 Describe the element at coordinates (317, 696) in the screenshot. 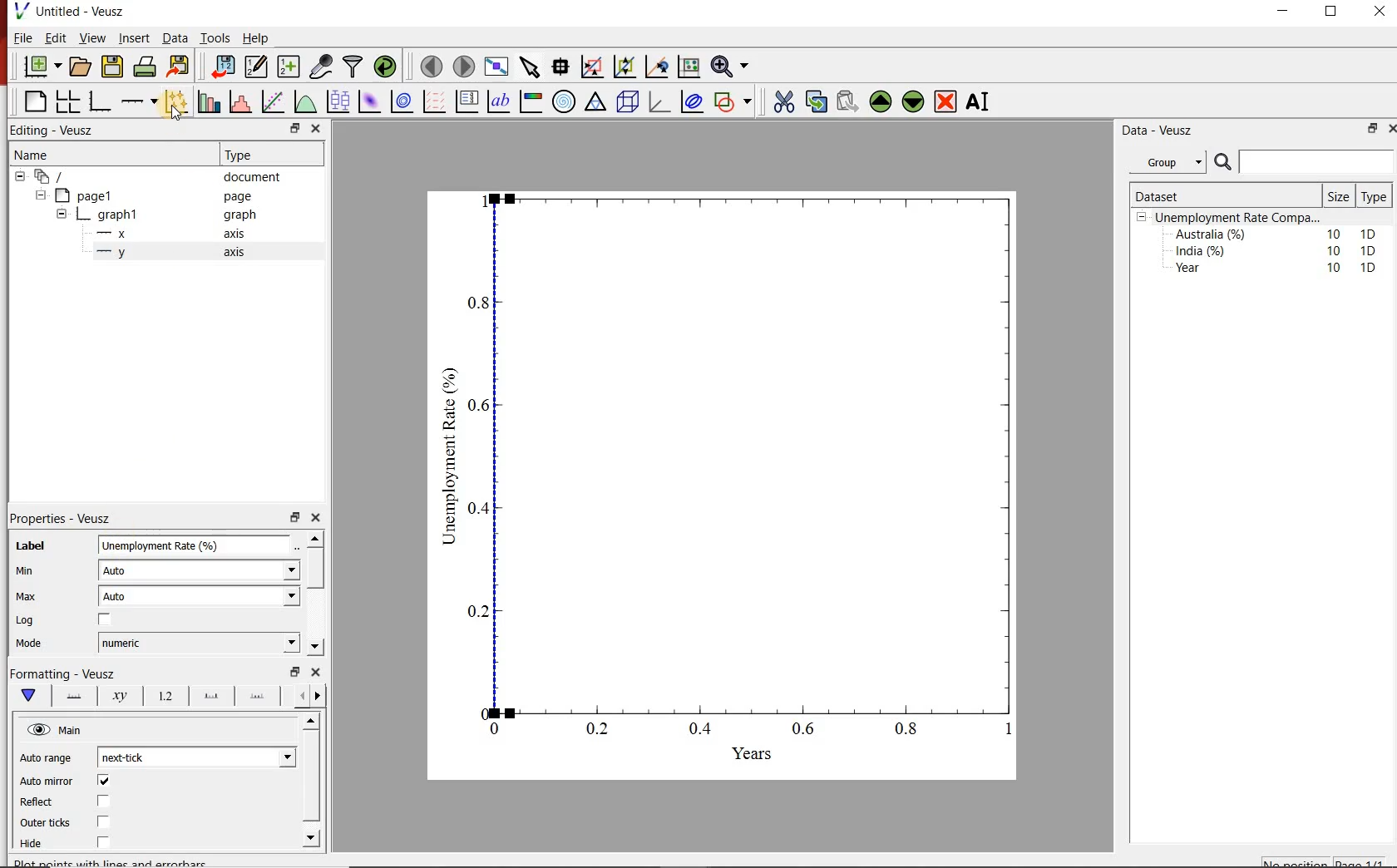

I see `move right` at that location.